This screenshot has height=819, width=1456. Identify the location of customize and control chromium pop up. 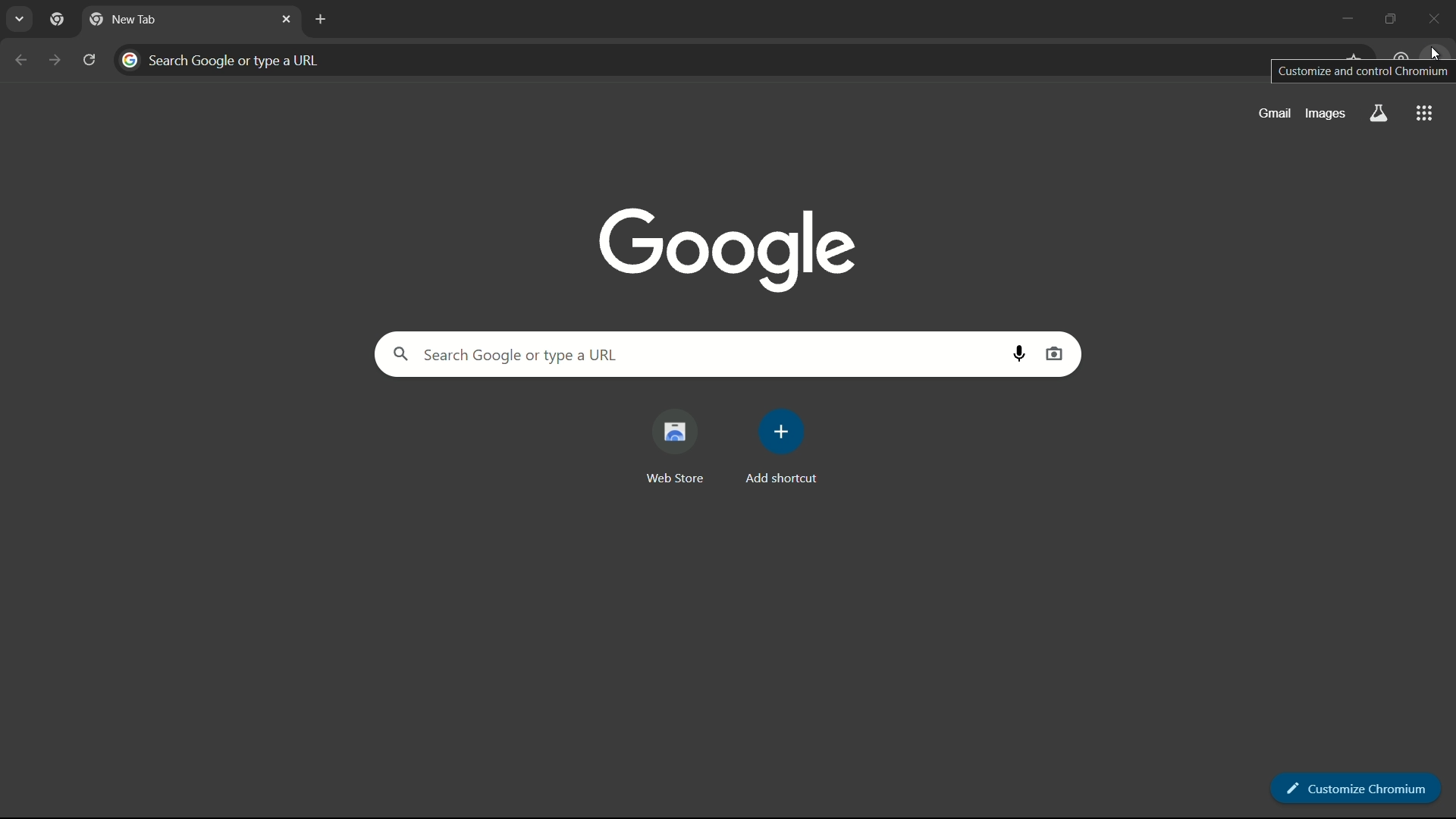
(1362, 71).